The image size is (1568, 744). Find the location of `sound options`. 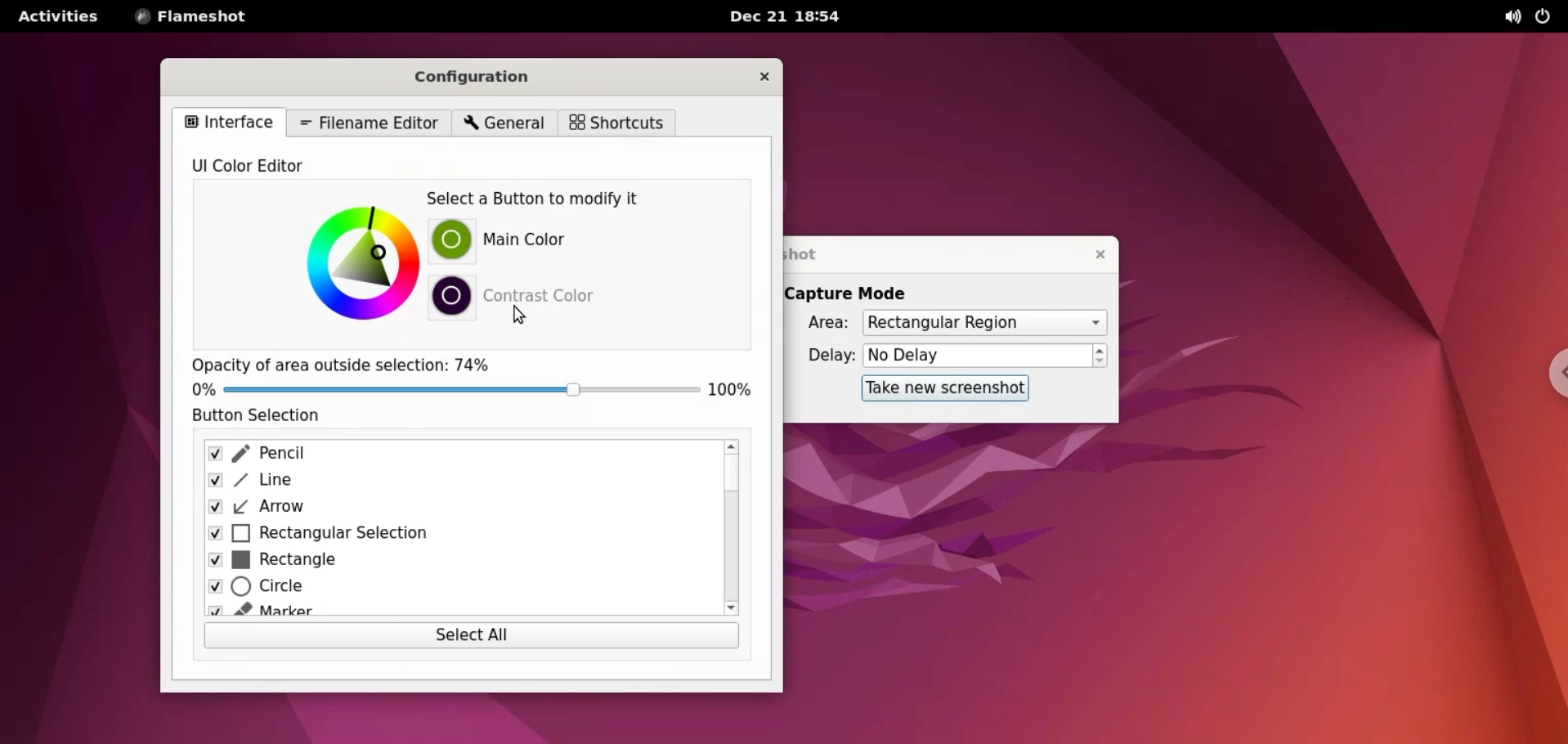

sound options is located at coordinates (1515, 17).